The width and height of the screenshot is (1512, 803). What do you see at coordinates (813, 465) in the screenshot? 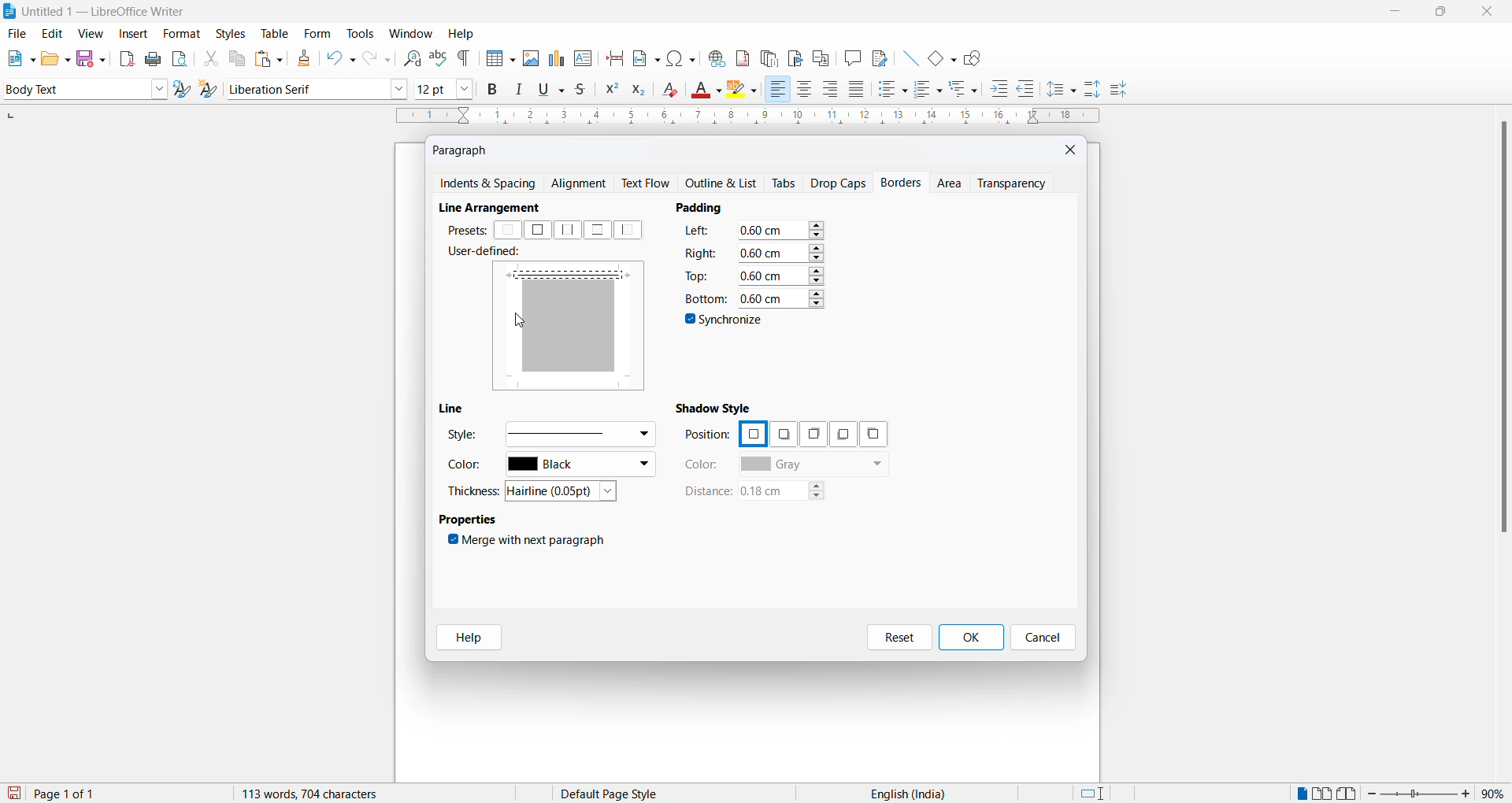
I see `color options` at bounding box center [813, 465].